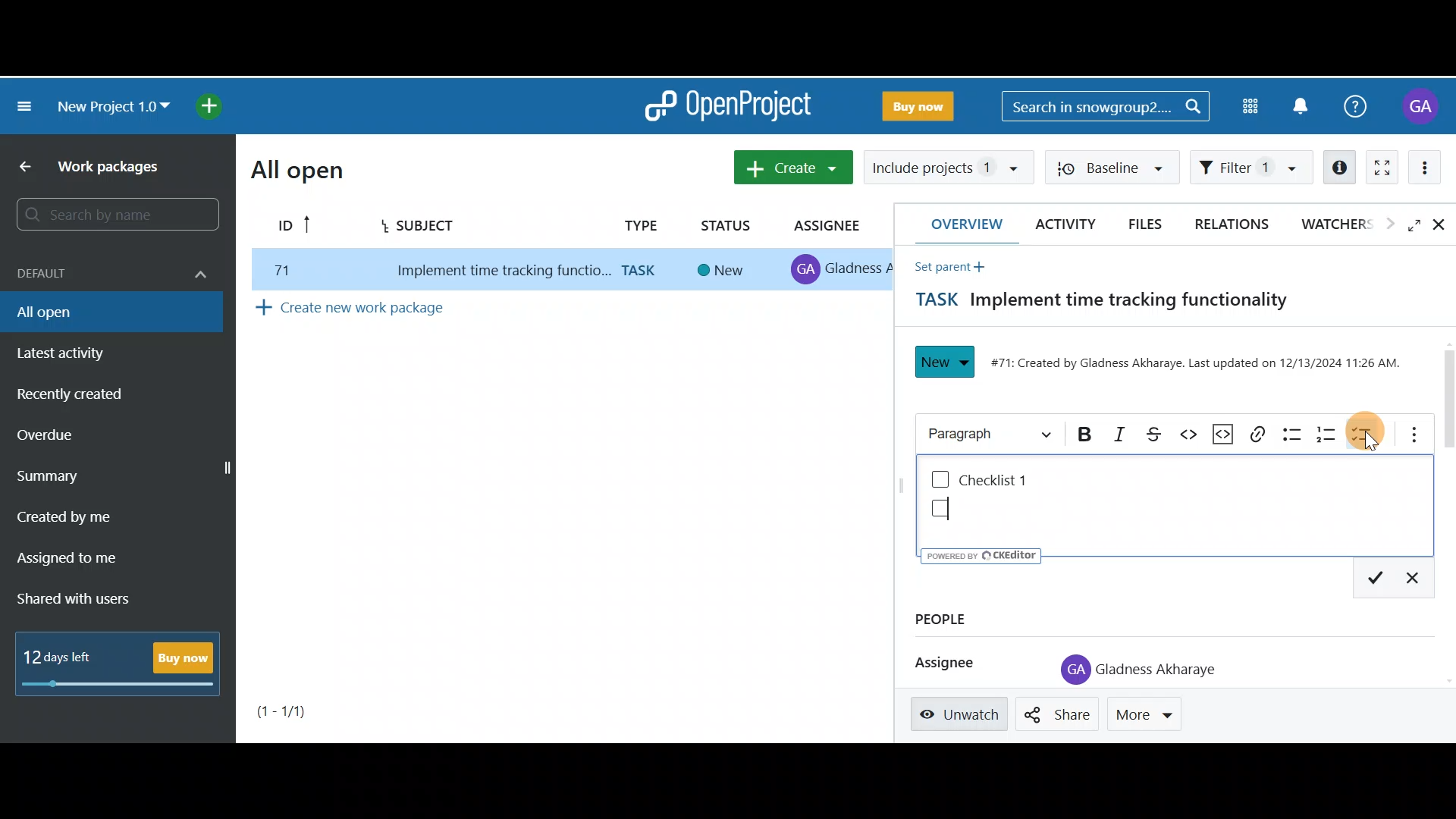 The image size is (1456, 819). Describe the element at coordinates (988, 430) in the screenshot. I see `Heading` at that location.